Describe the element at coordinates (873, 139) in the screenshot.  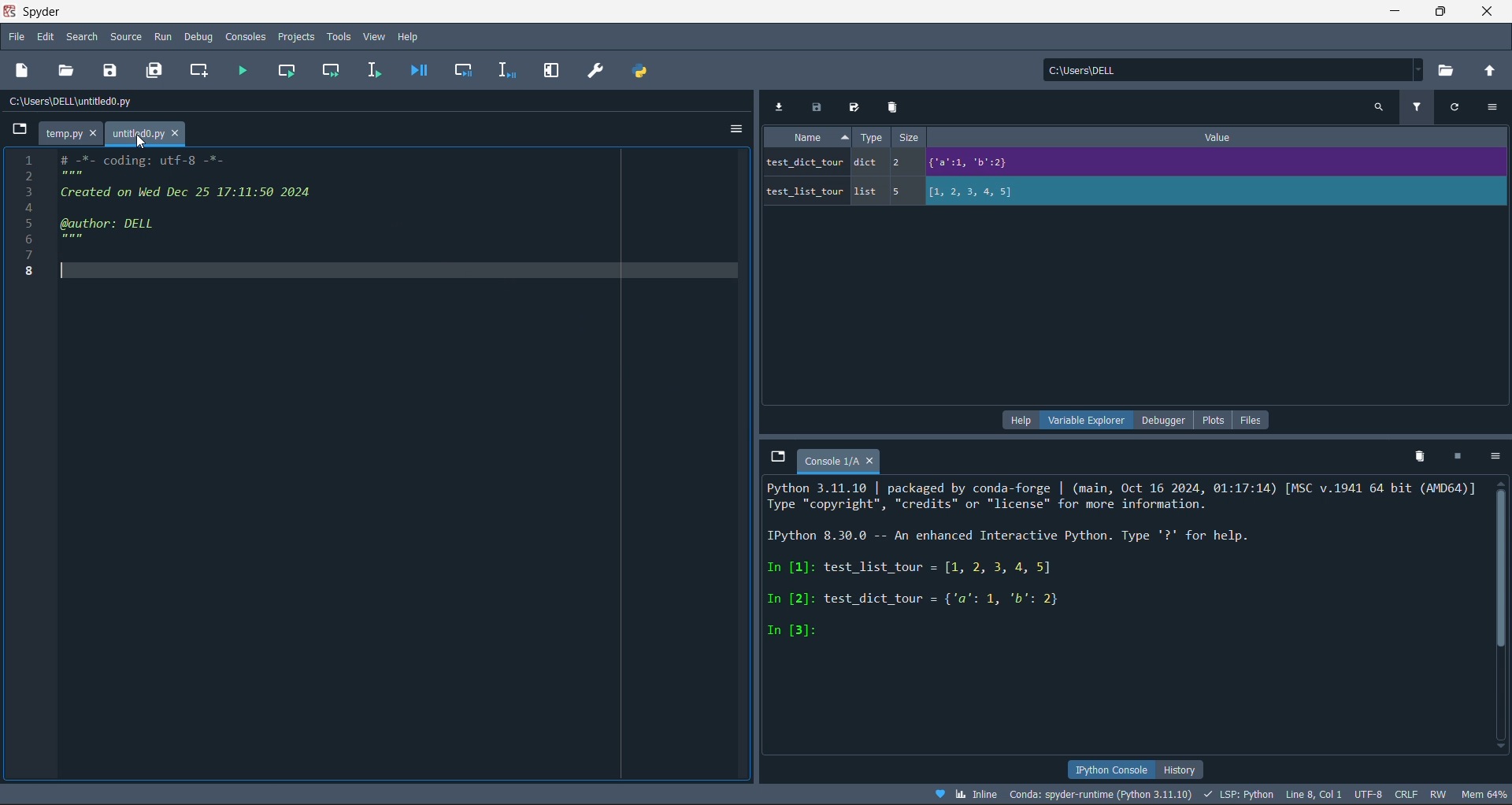
I see `type` at that location.